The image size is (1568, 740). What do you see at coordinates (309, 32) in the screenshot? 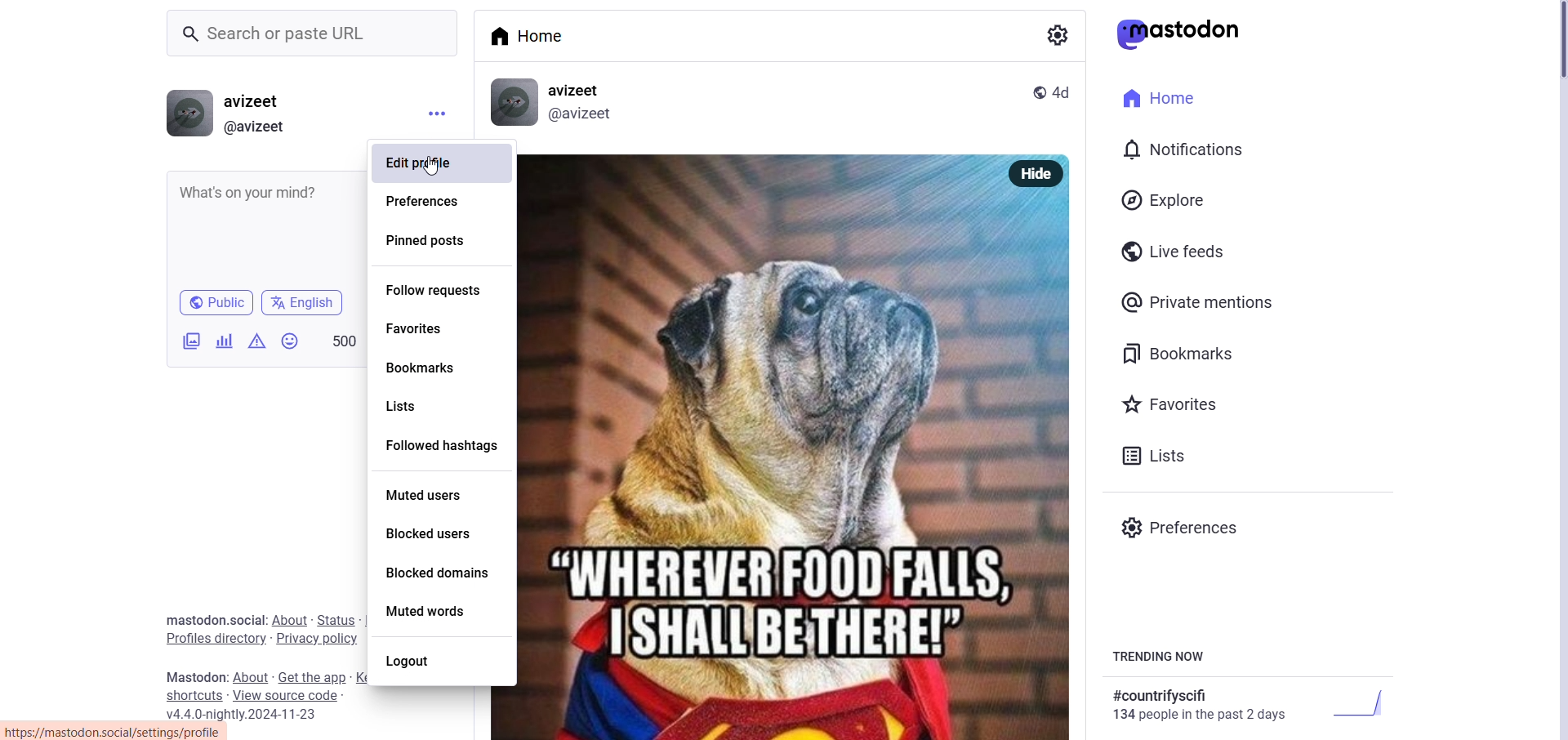
I see `search` at bounding box center [309, 32].